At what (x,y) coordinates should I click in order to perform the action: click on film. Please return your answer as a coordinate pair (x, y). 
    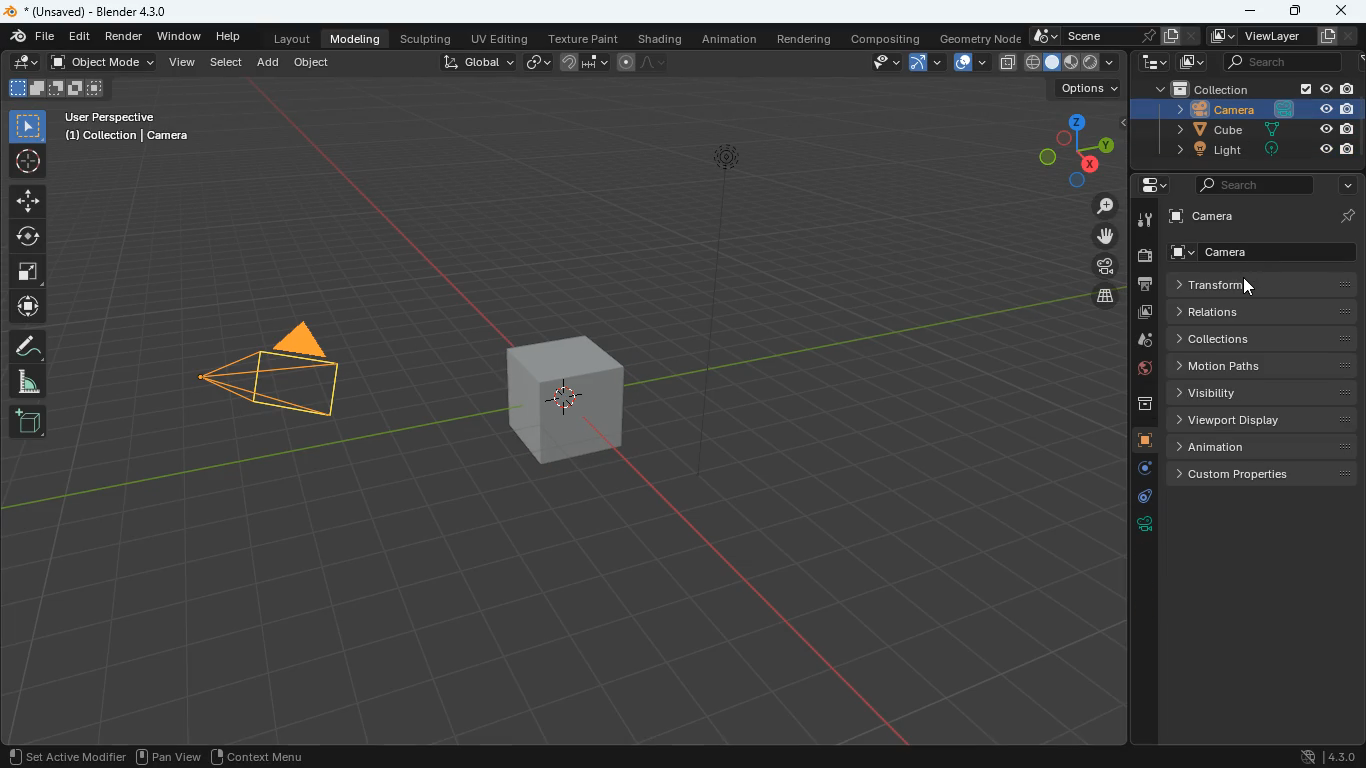
    Looking at the image, I should click on (1103, 269).